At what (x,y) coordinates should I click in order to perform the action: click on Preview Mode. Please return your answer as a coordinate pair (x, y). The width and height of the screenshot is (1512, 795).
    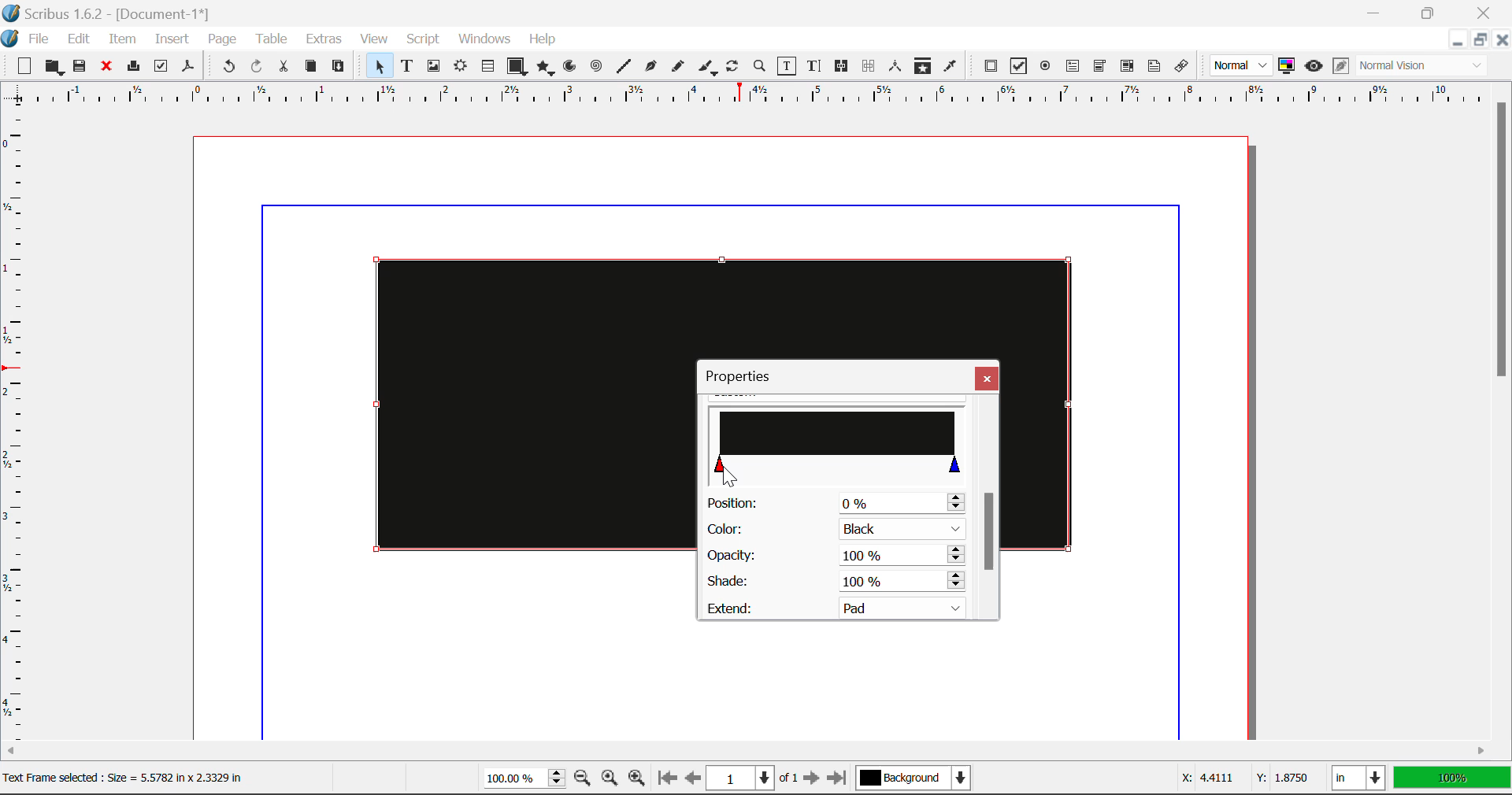
    Looking at the image, I should click on (1314, 66).